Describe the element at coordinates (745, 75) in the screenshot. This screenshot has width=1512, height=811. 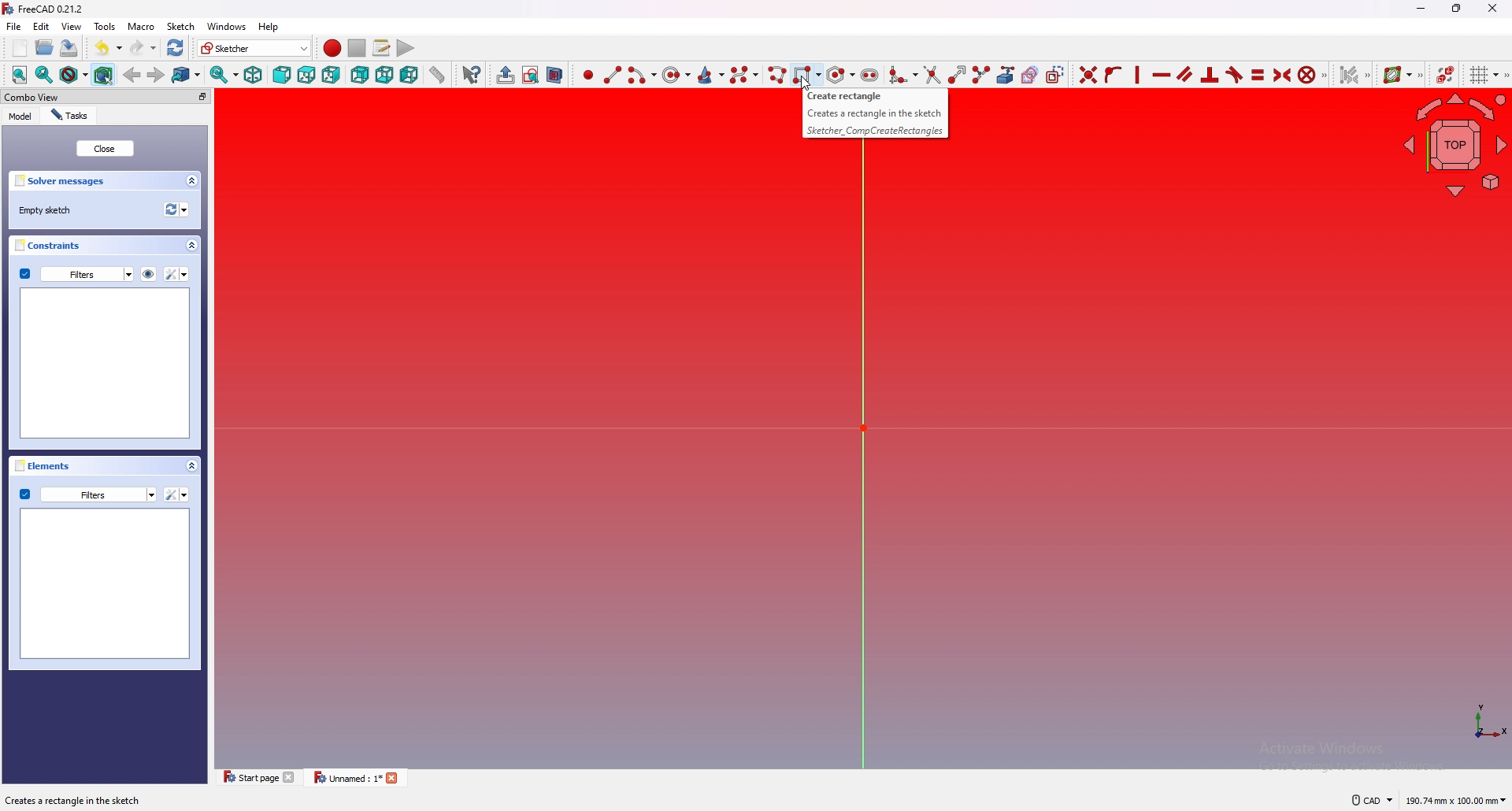
I see `create b spline` at that location.